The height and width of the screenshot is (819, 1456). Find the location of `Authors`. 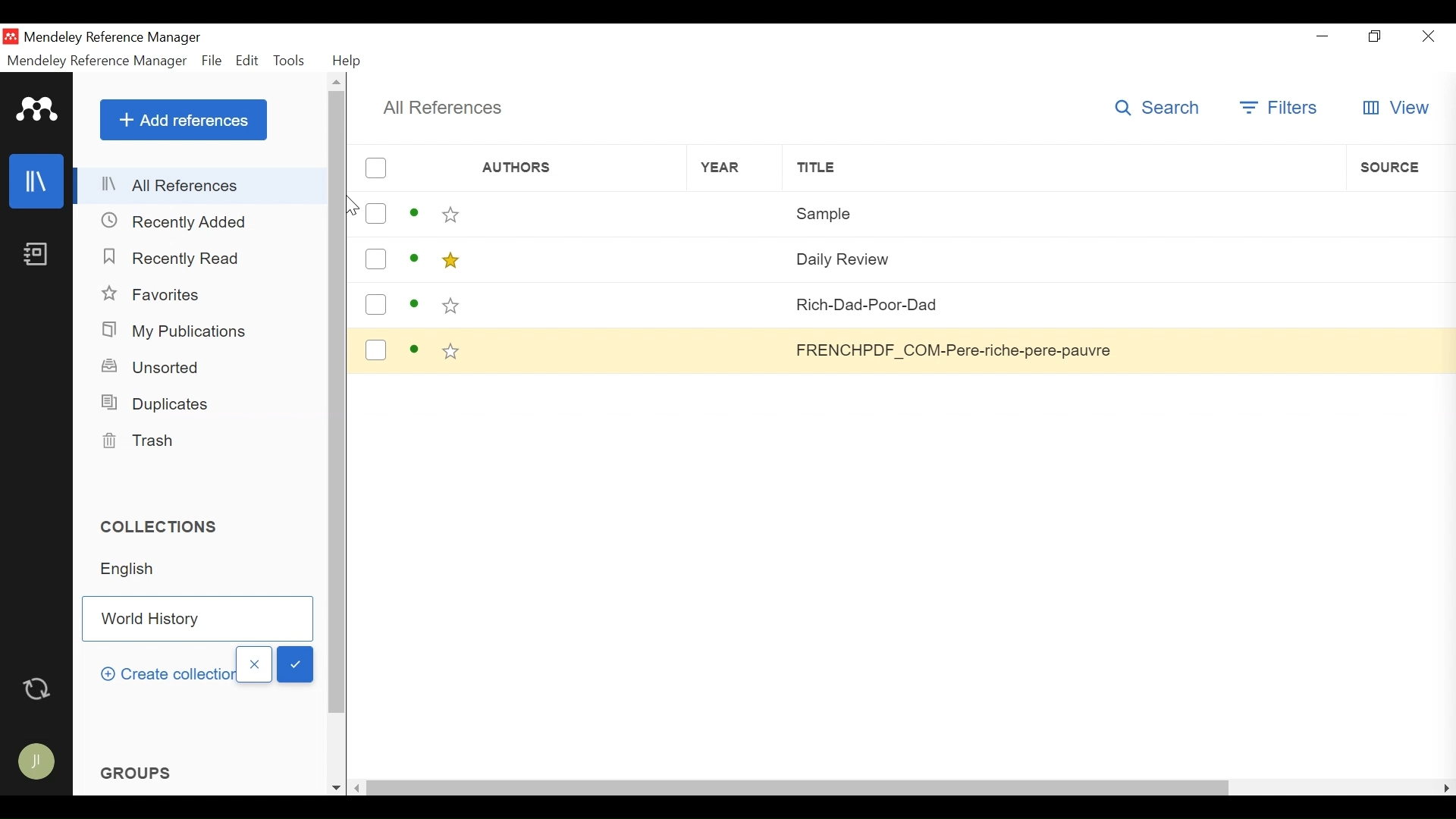

Authors is located at coordinates (579, 349).